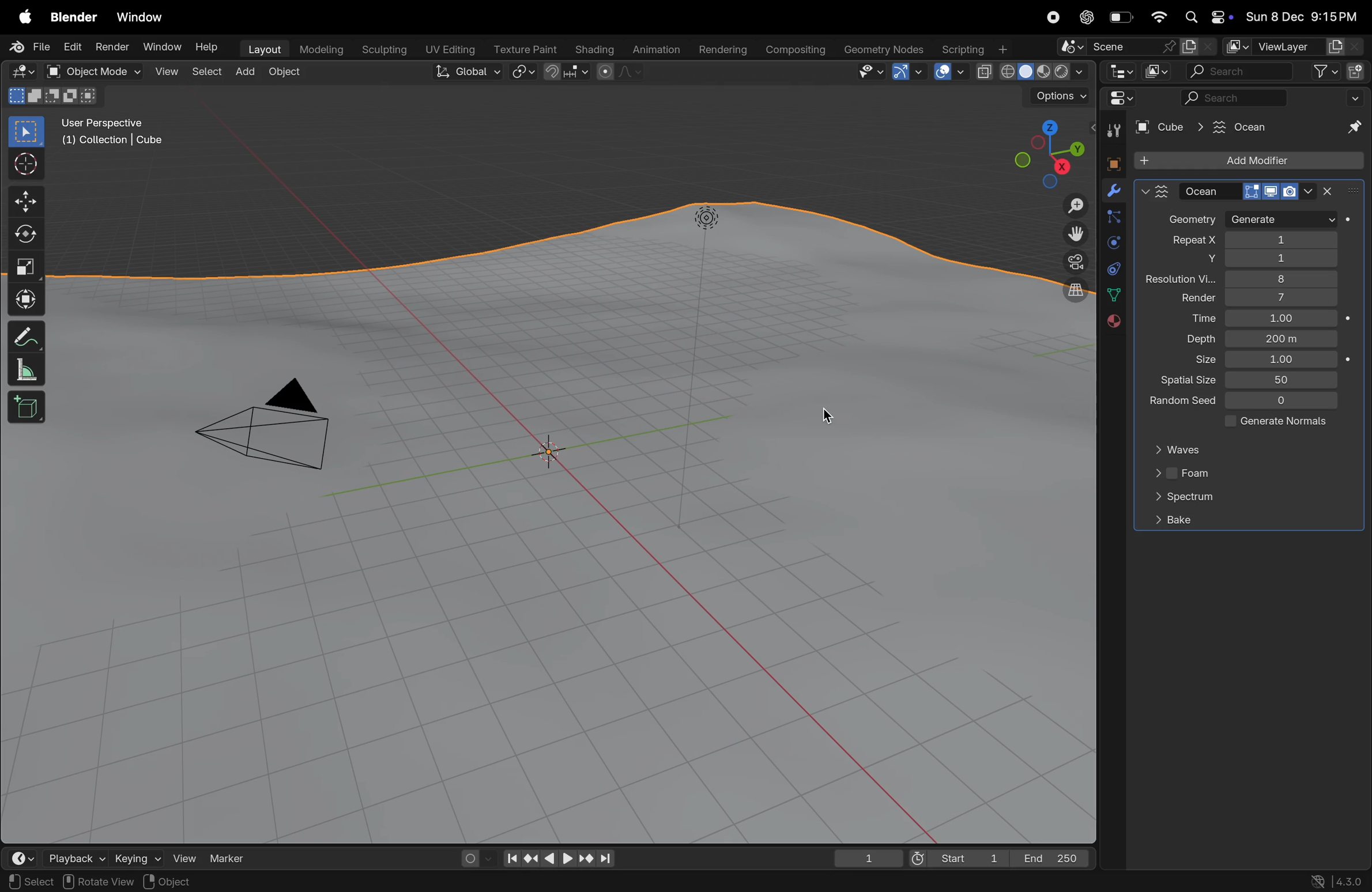 The image size is (1372, 892). Describe the element at coordinates (26, 18) in the screenshot. I see `apple menu` at that location.